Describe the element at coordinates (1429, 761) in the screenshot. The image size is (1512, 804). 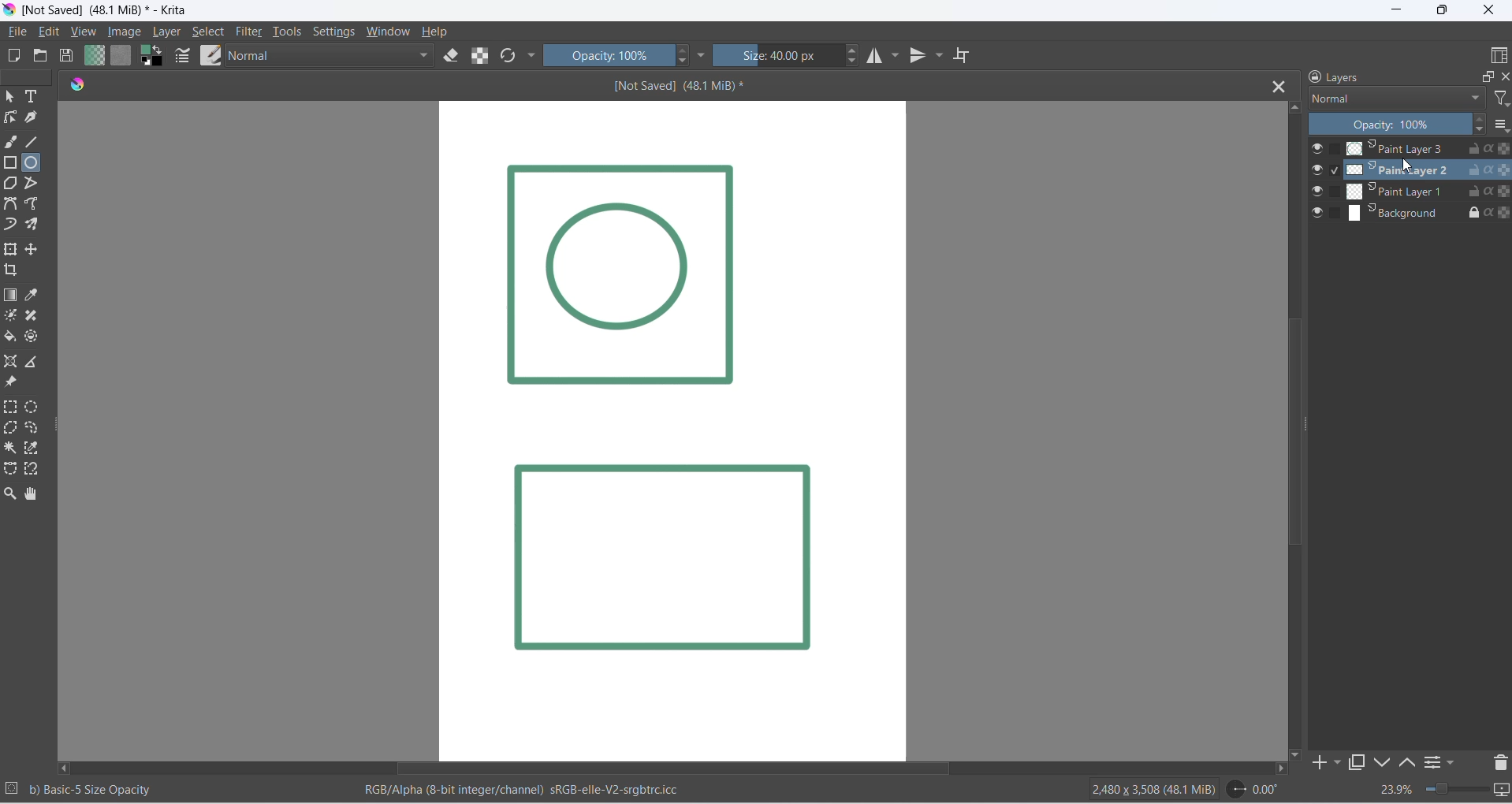
I see `options` at that location.